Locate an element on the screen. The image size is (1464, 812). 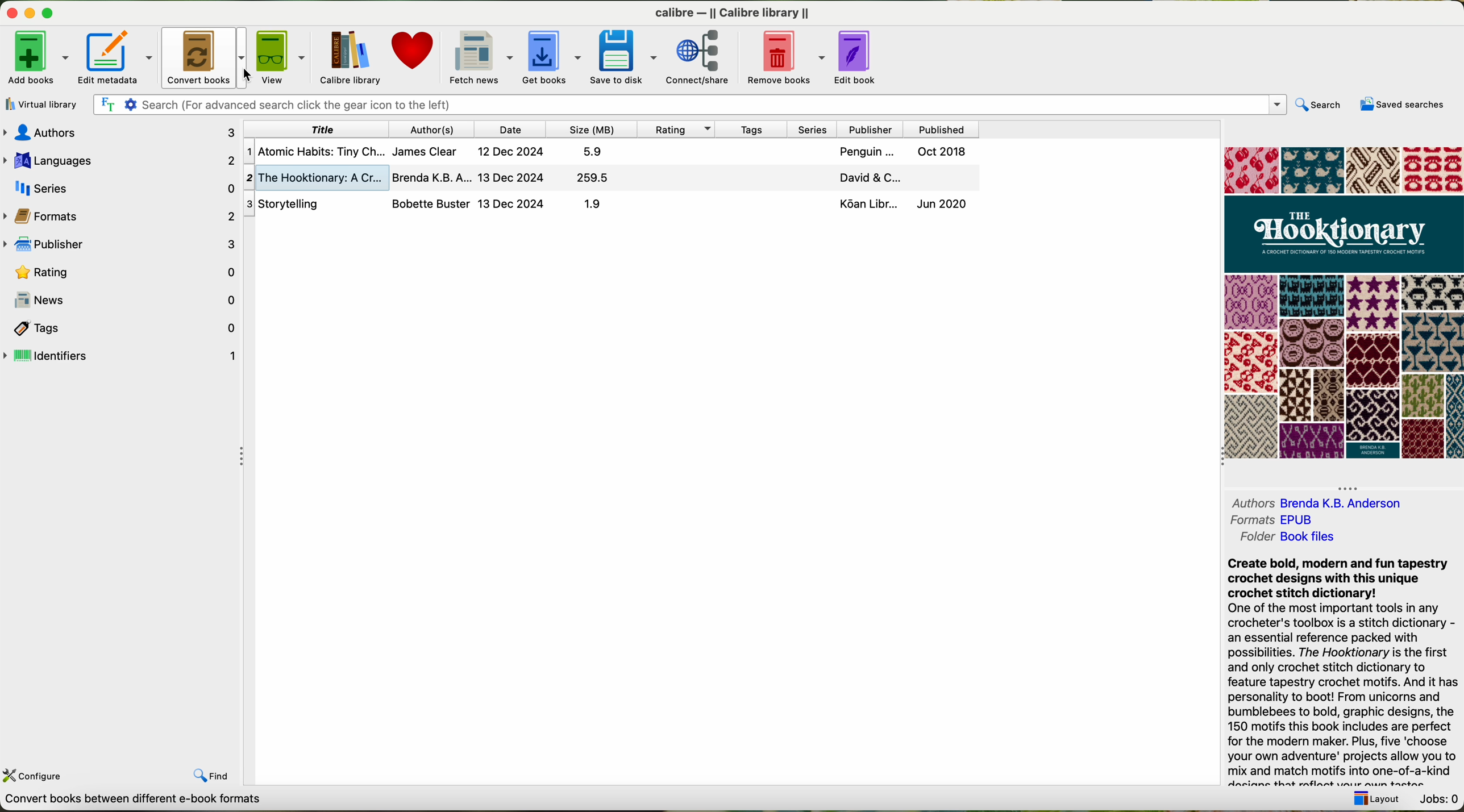
Jobs: 0 is located at coordinates (1440, 797).